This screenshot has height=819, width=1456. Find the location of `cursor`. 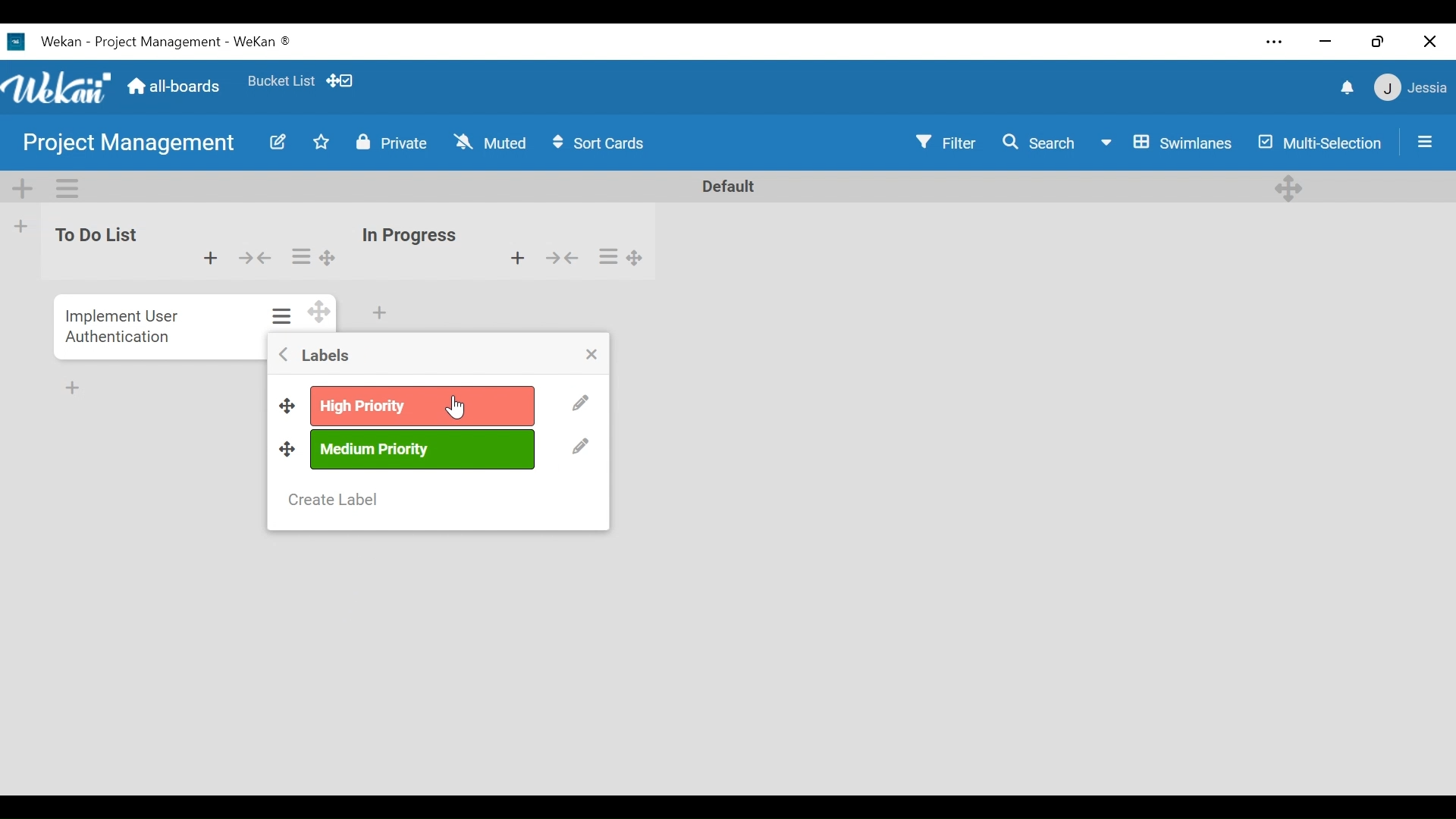

cursor is located at coordinates (454, 407).